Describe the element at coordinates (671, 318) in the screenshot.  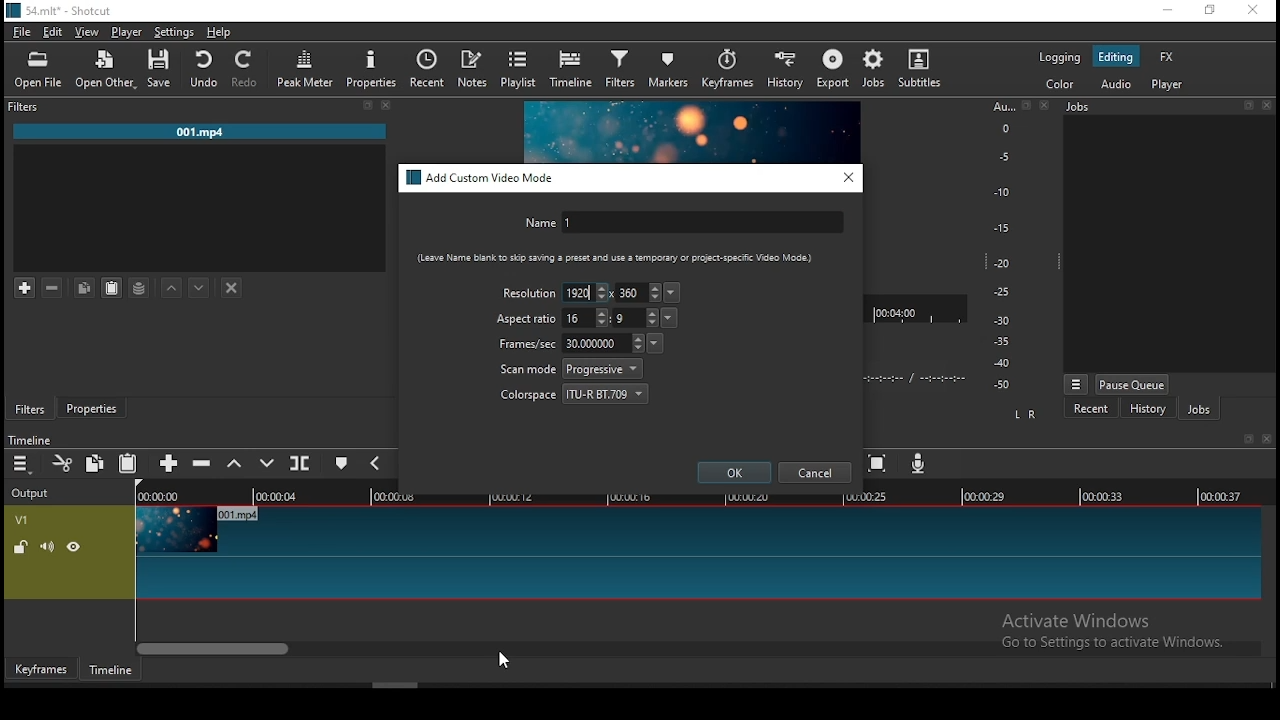
I see `aspect ration presets` at that location.